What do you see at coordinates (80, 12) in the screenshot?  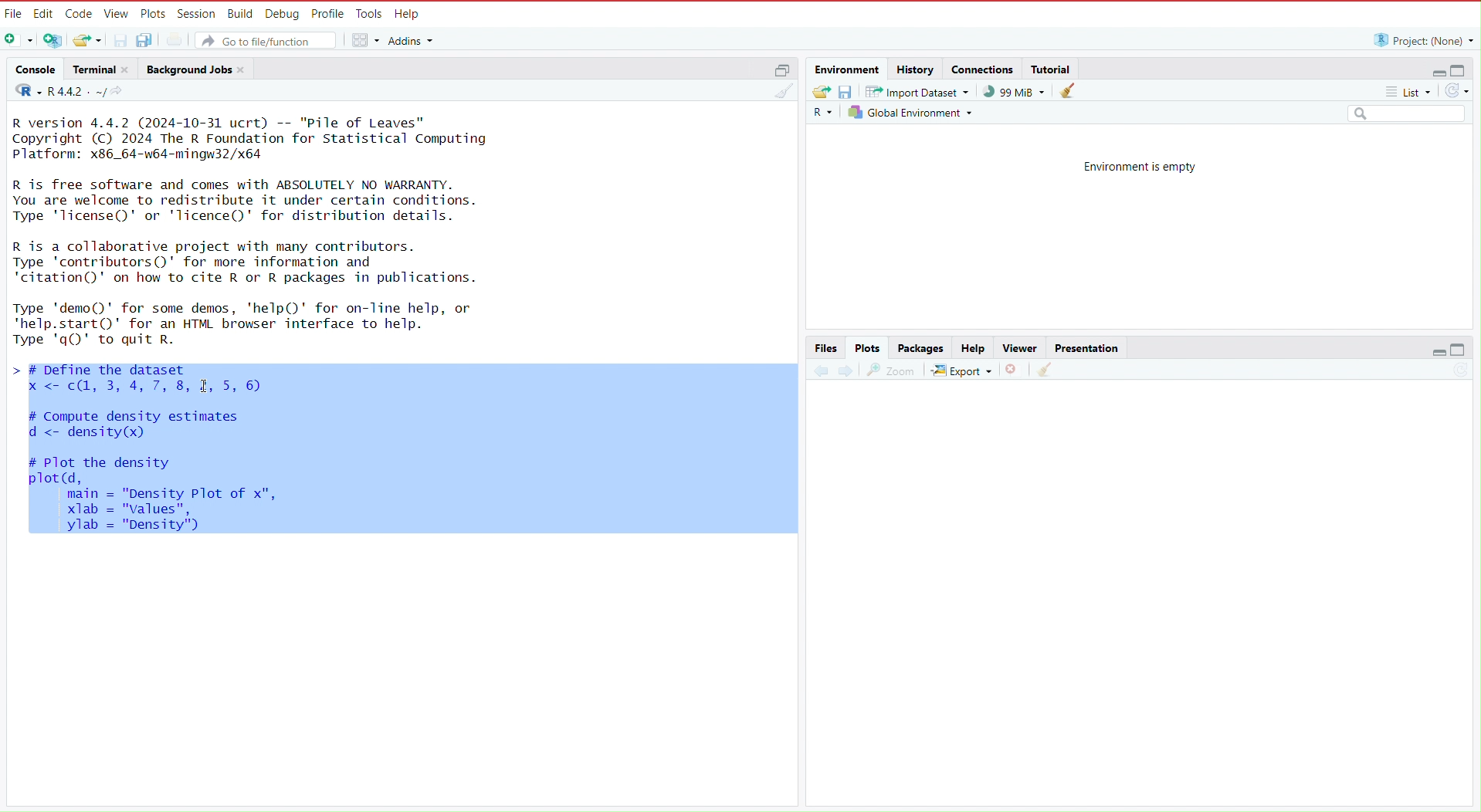 I see `code` at bounding box center [80, 12].